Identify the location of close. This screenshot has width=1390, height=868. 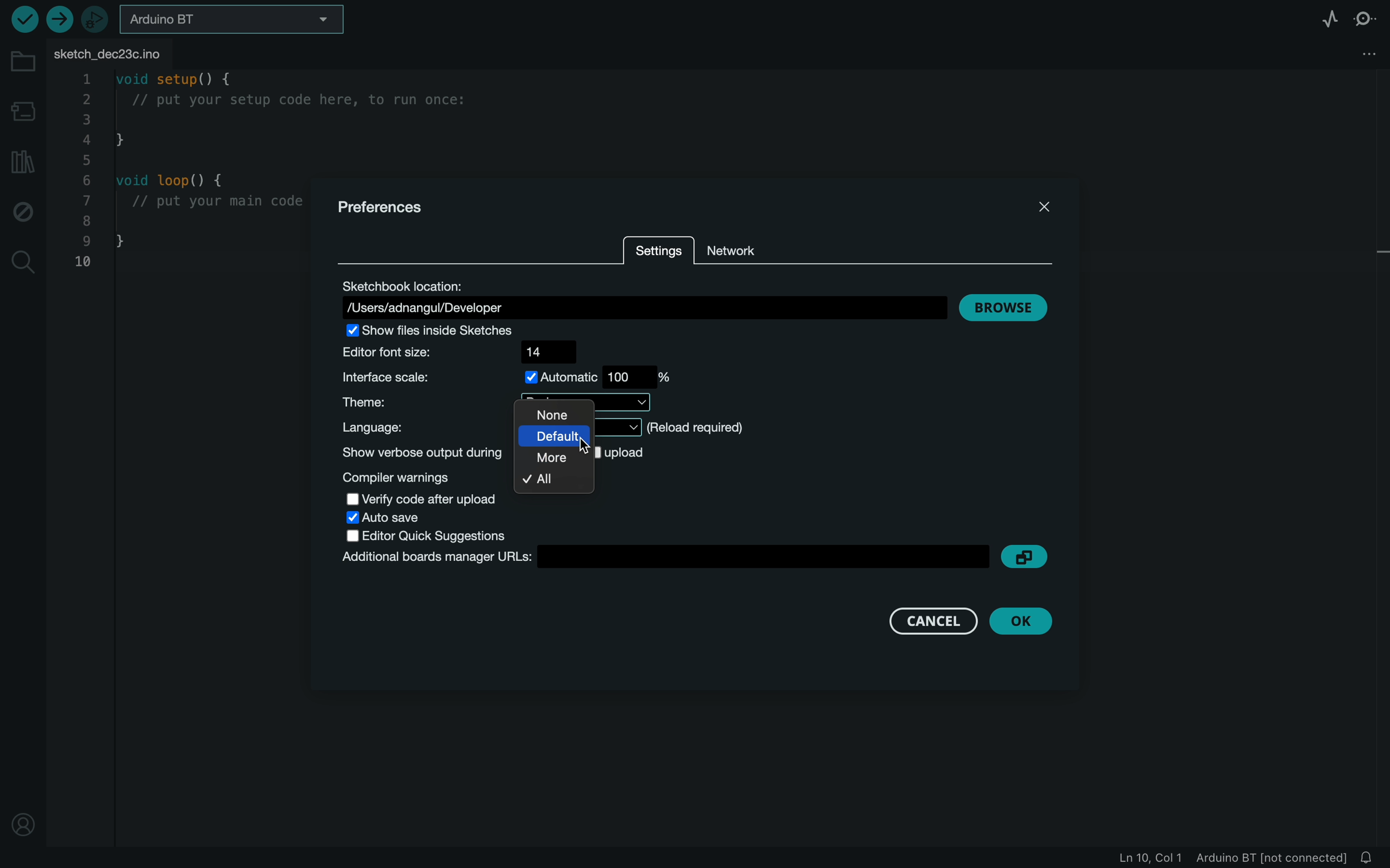
(1049, 211).